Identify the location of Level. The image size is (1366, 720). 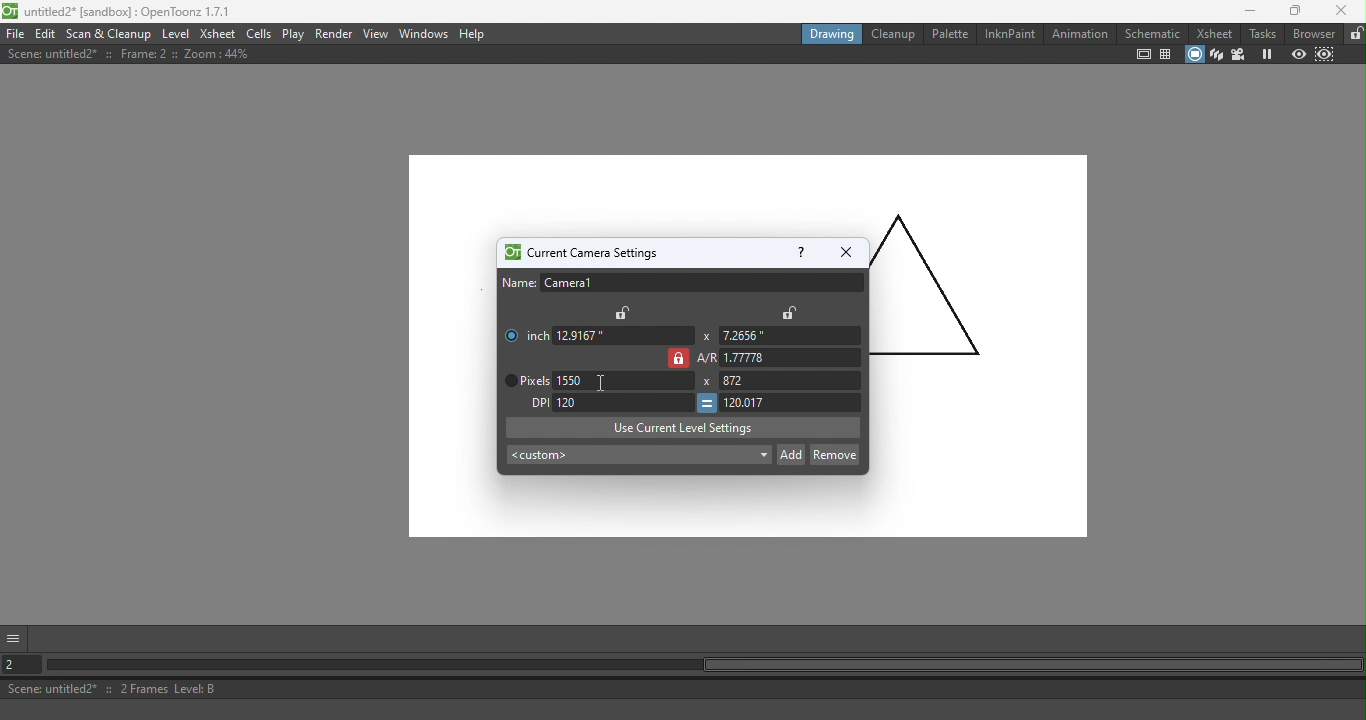
(177, 32).